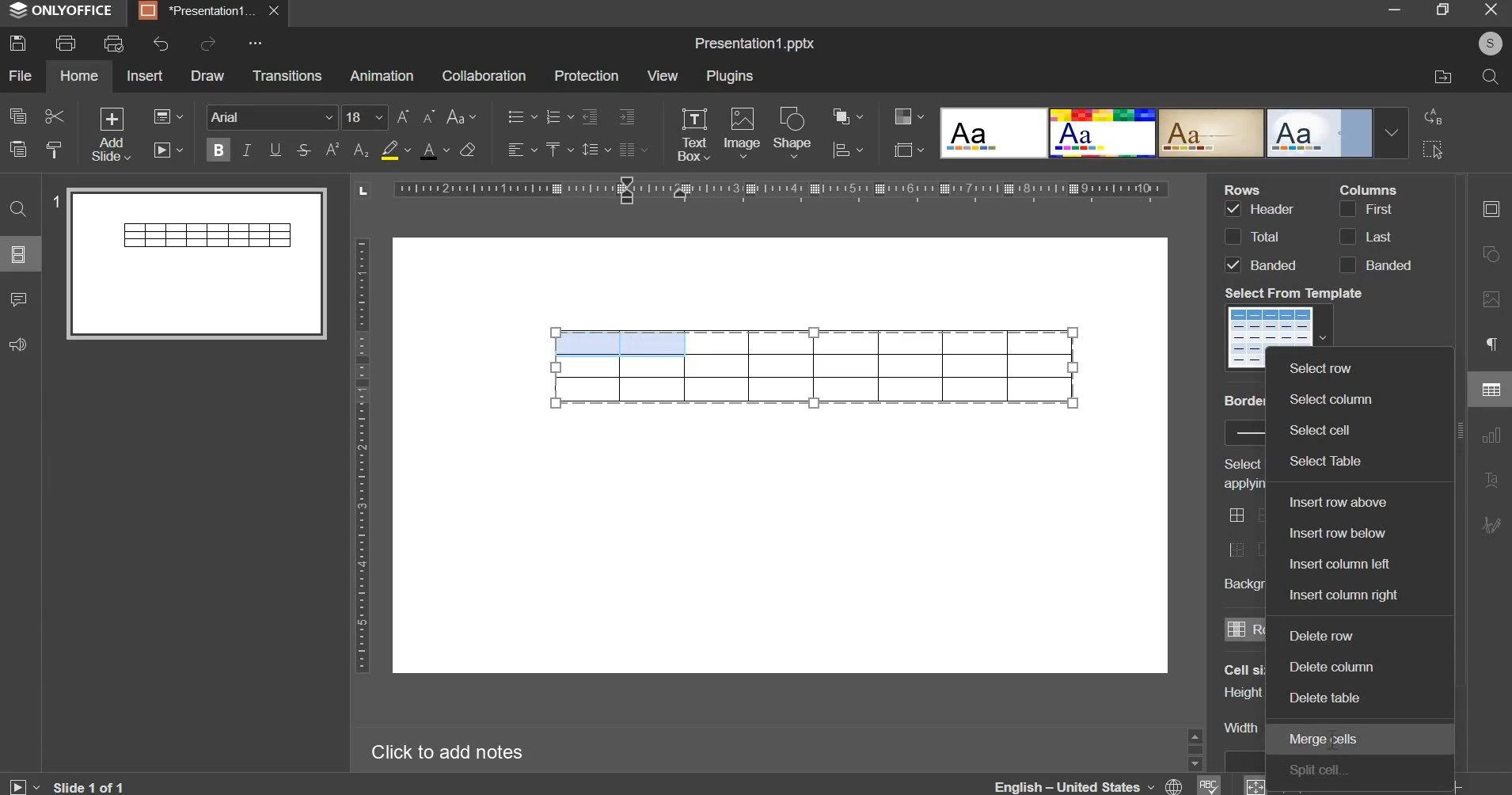 The height and width of the screenshot is (795, 1512). I want to click on print preview, so click(113, 45).